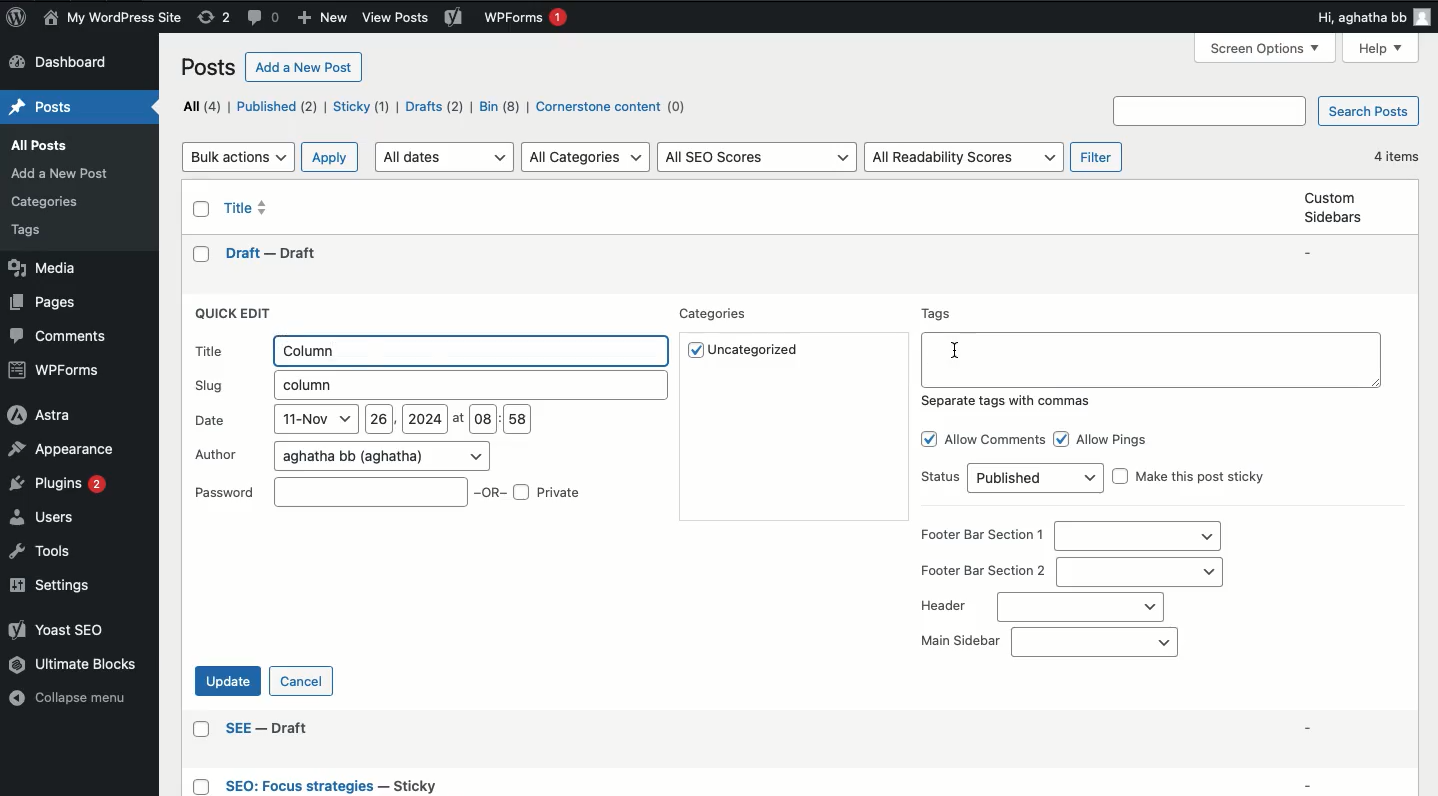  What do you see at coordinates (517, 420) in the screenshot?
I see `58` at bounding box center [517, 420].